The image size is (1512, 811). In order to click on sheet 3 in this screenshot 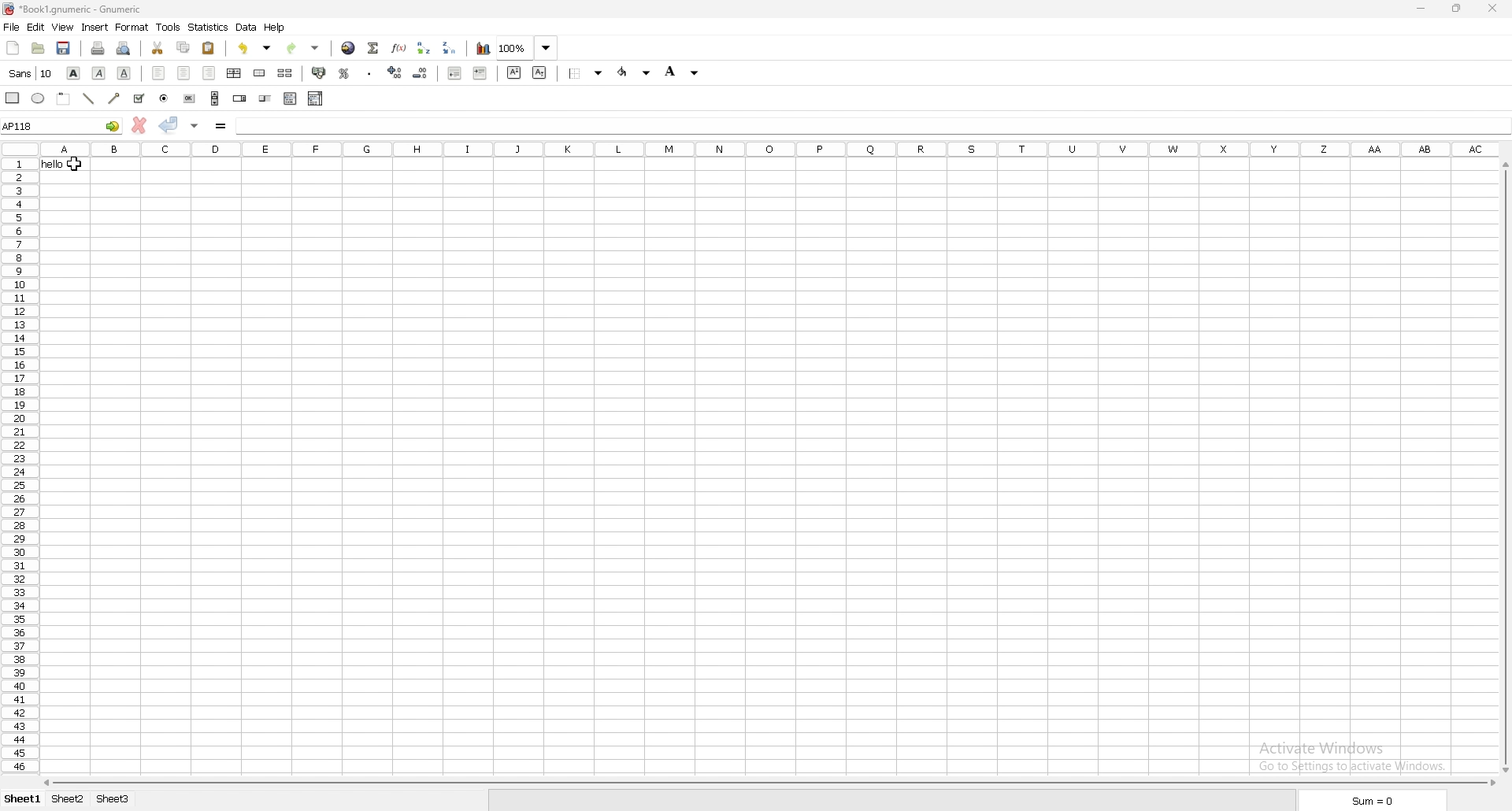, I will do `click(113, 798)`.